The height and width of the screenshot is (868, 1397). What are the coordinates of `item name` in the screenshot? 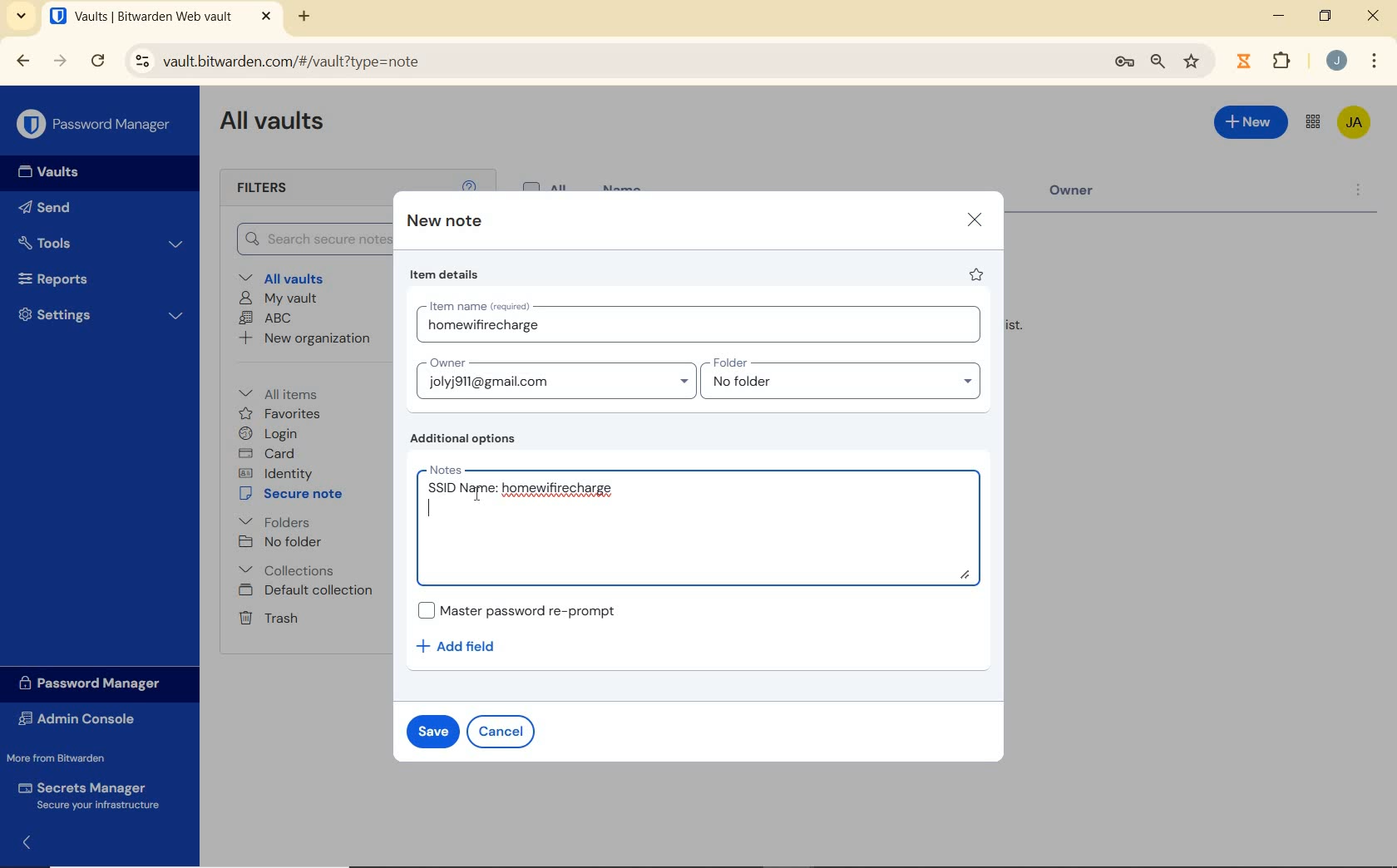 It's located at (703, 324).